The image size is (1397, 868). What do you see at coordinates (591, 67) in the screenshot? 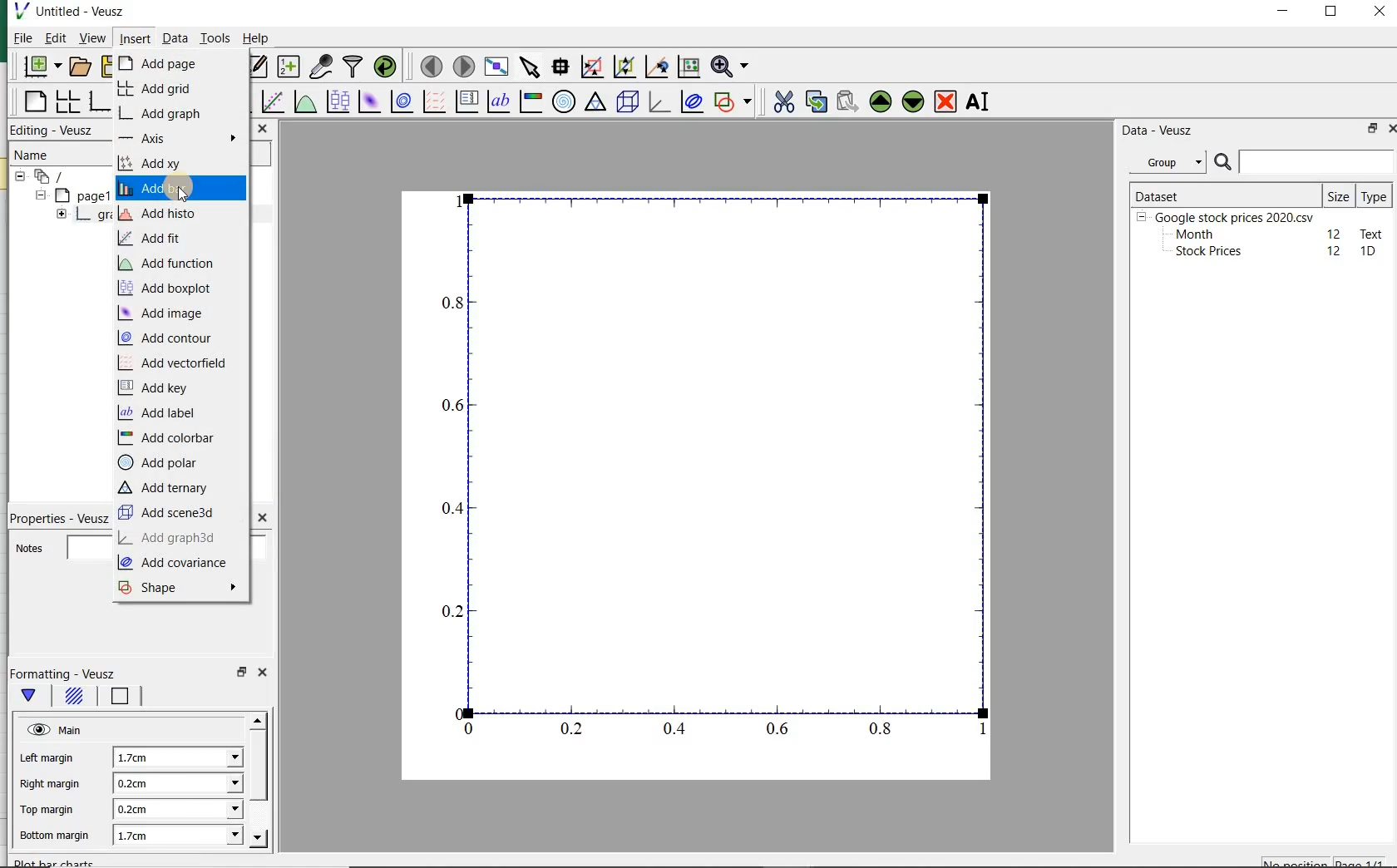
I see `click or draw a rectangle to zoom graph axes` at bounding box center [591, 67].